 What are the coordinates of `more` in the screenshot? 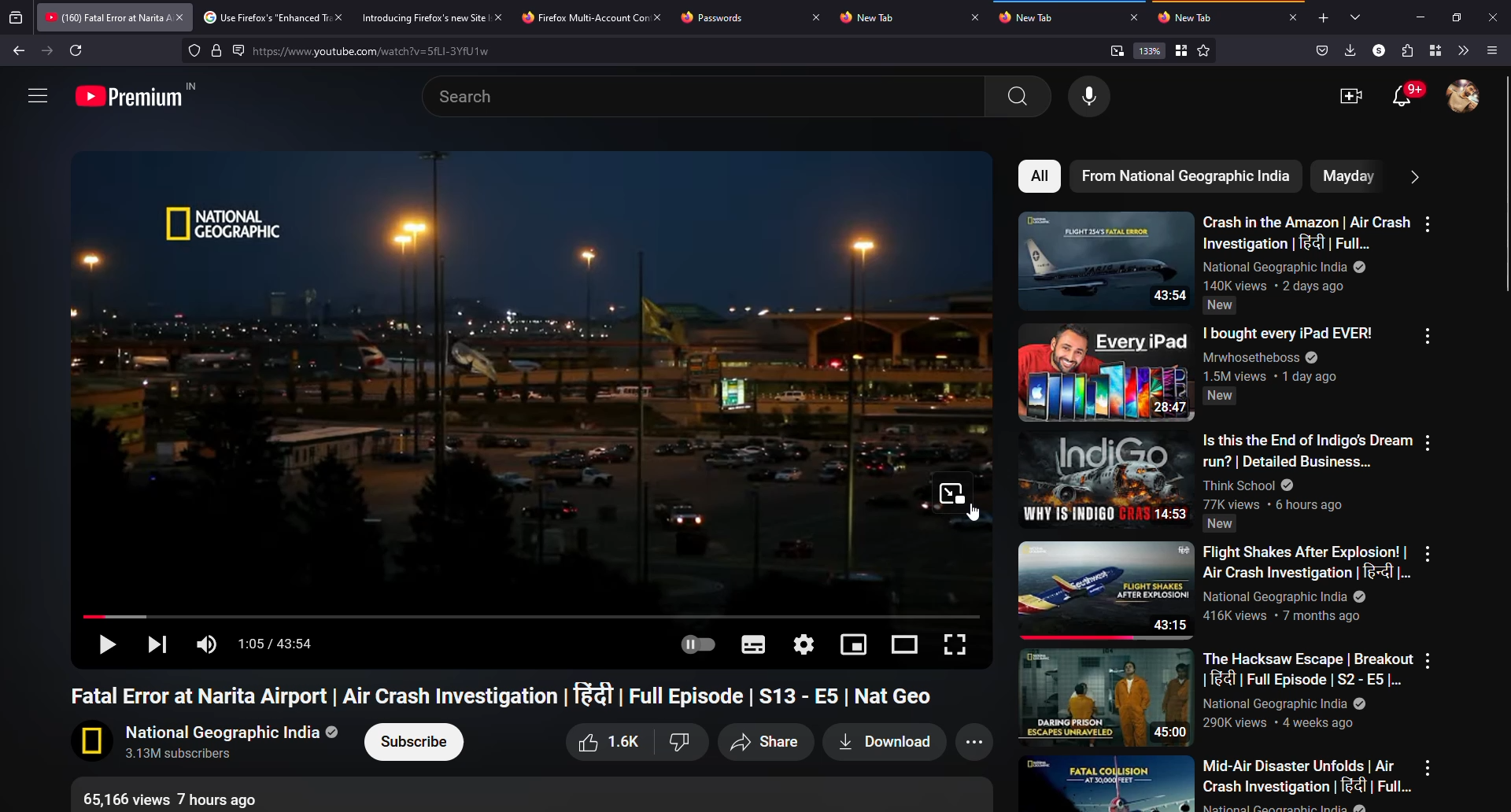 It's located at (1428, 442).